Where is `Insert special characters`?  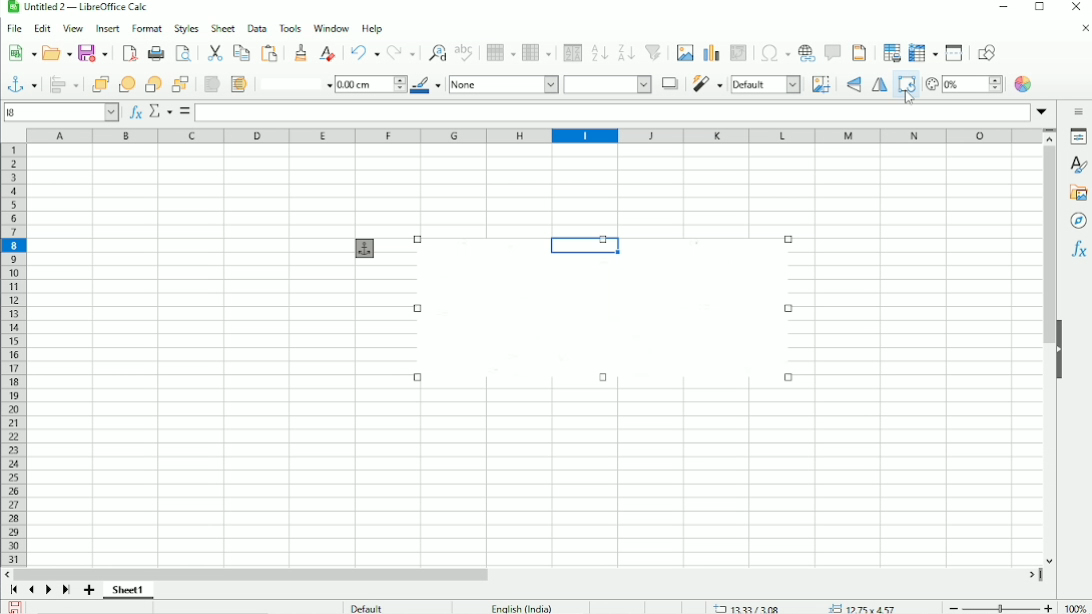
Insert special characters is located at coordinates (775, 52).